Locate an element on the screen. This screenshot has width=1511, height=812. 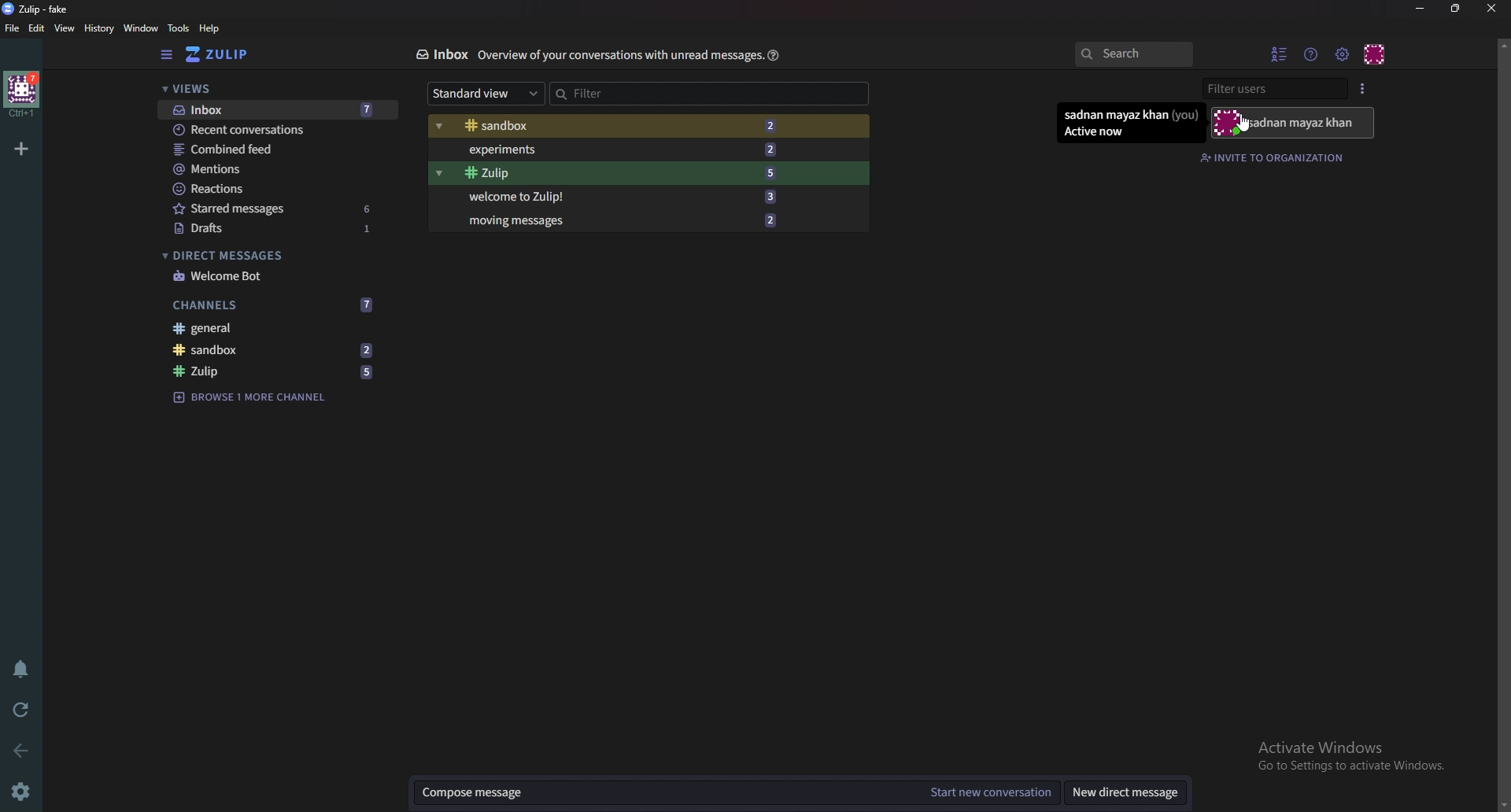
search is located at coordinates (1135, 54).